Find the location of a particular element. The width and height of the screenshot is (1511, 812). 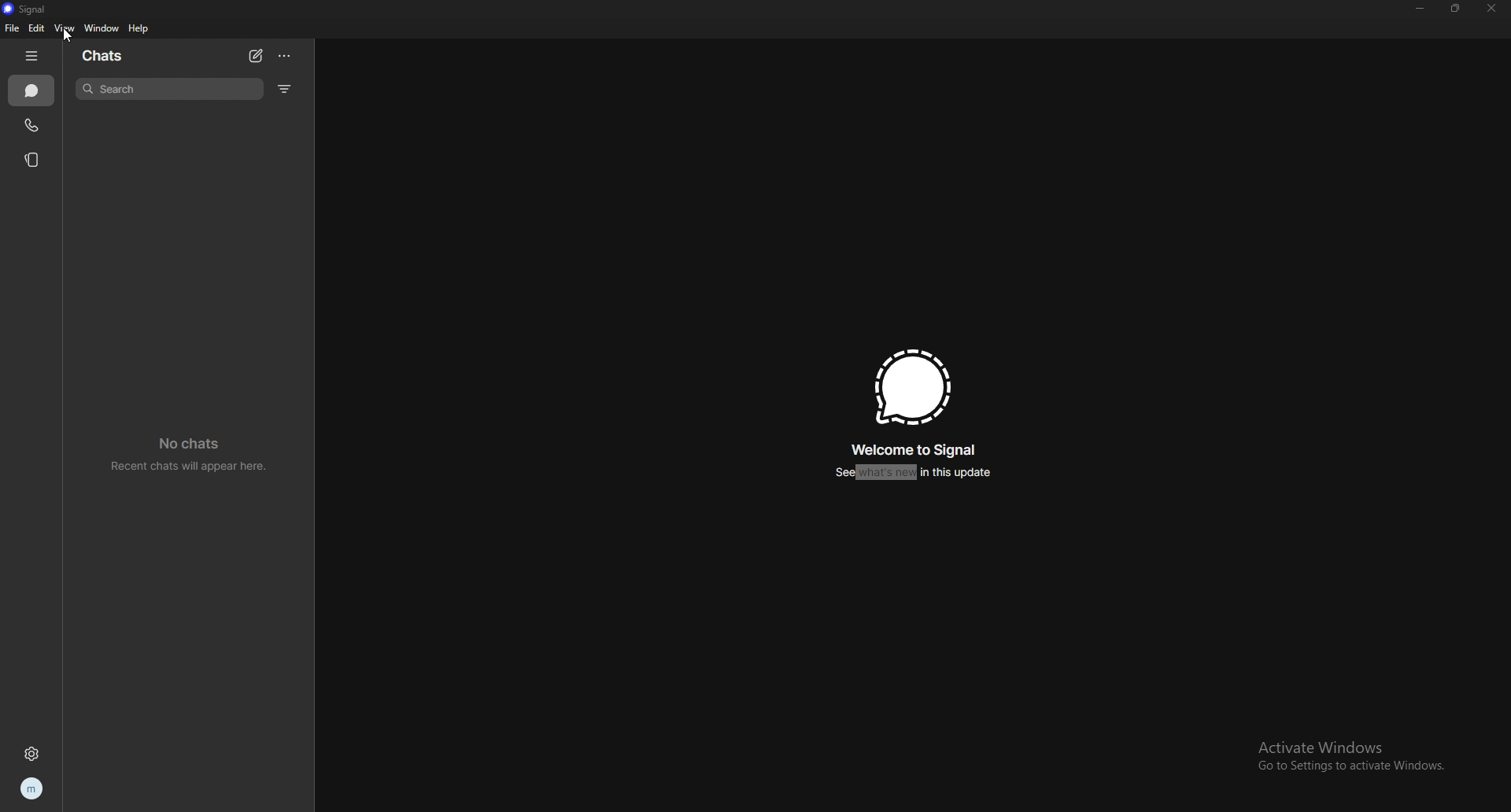

stories is located at coordinates (32, 161).